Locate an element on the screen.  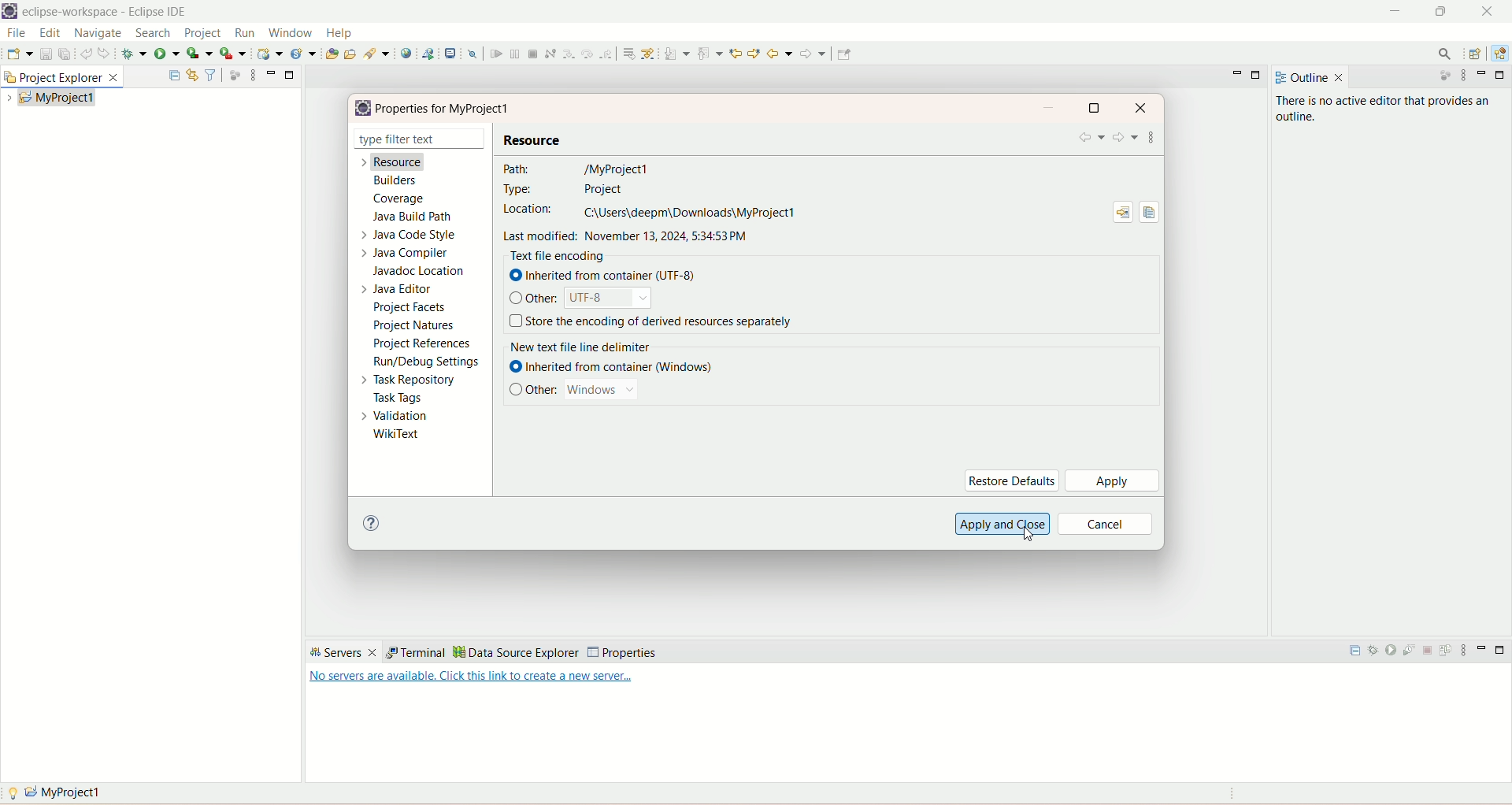
save is located at coordinates (45, 54).